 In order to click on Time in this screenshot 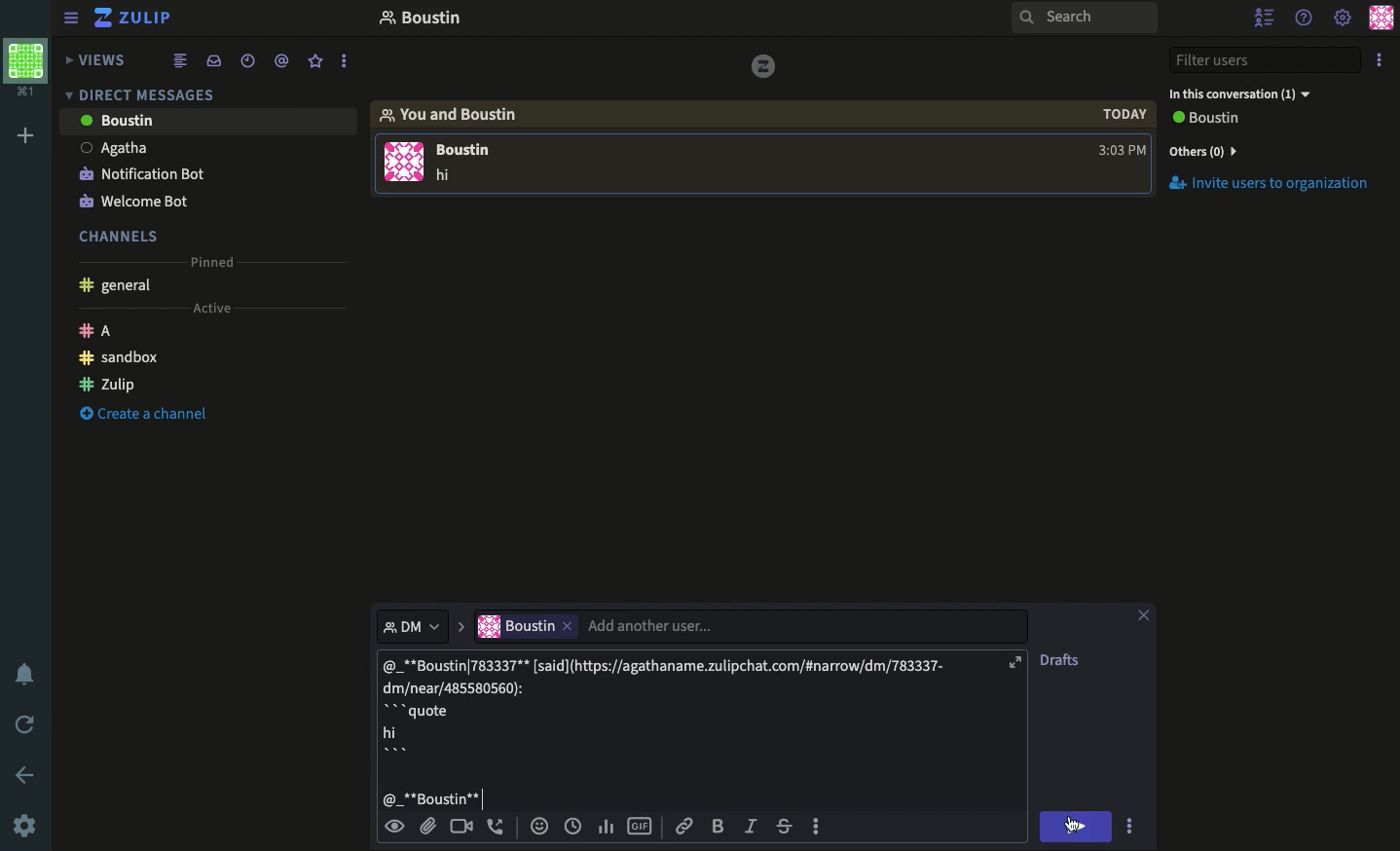, I will do `click(246, 59)`.